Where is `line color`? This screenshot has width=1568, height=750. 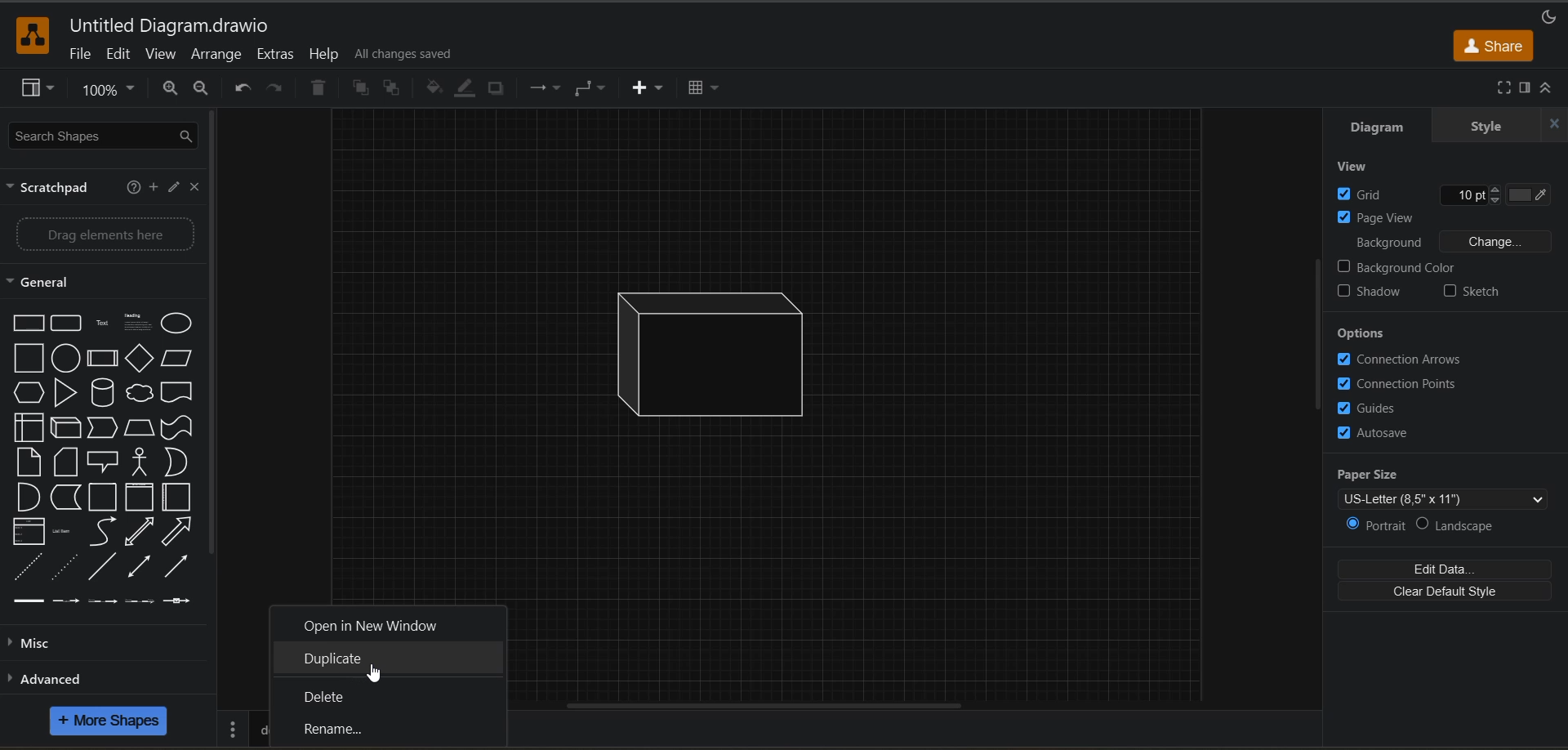
line color is located at coordinates (466, 89).